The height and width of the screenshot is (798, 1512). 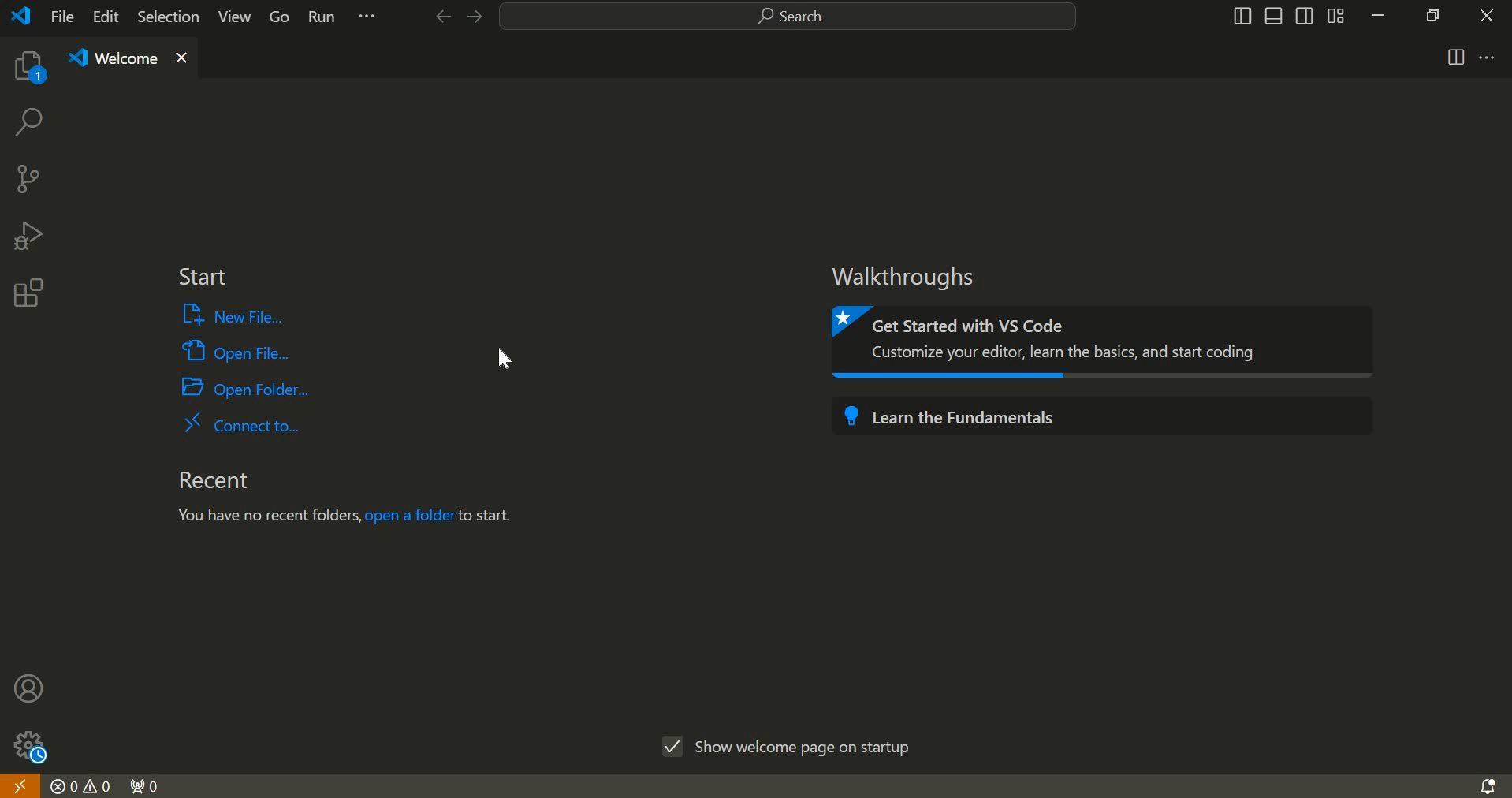 I want to click on search, so click(x=788, y=17).